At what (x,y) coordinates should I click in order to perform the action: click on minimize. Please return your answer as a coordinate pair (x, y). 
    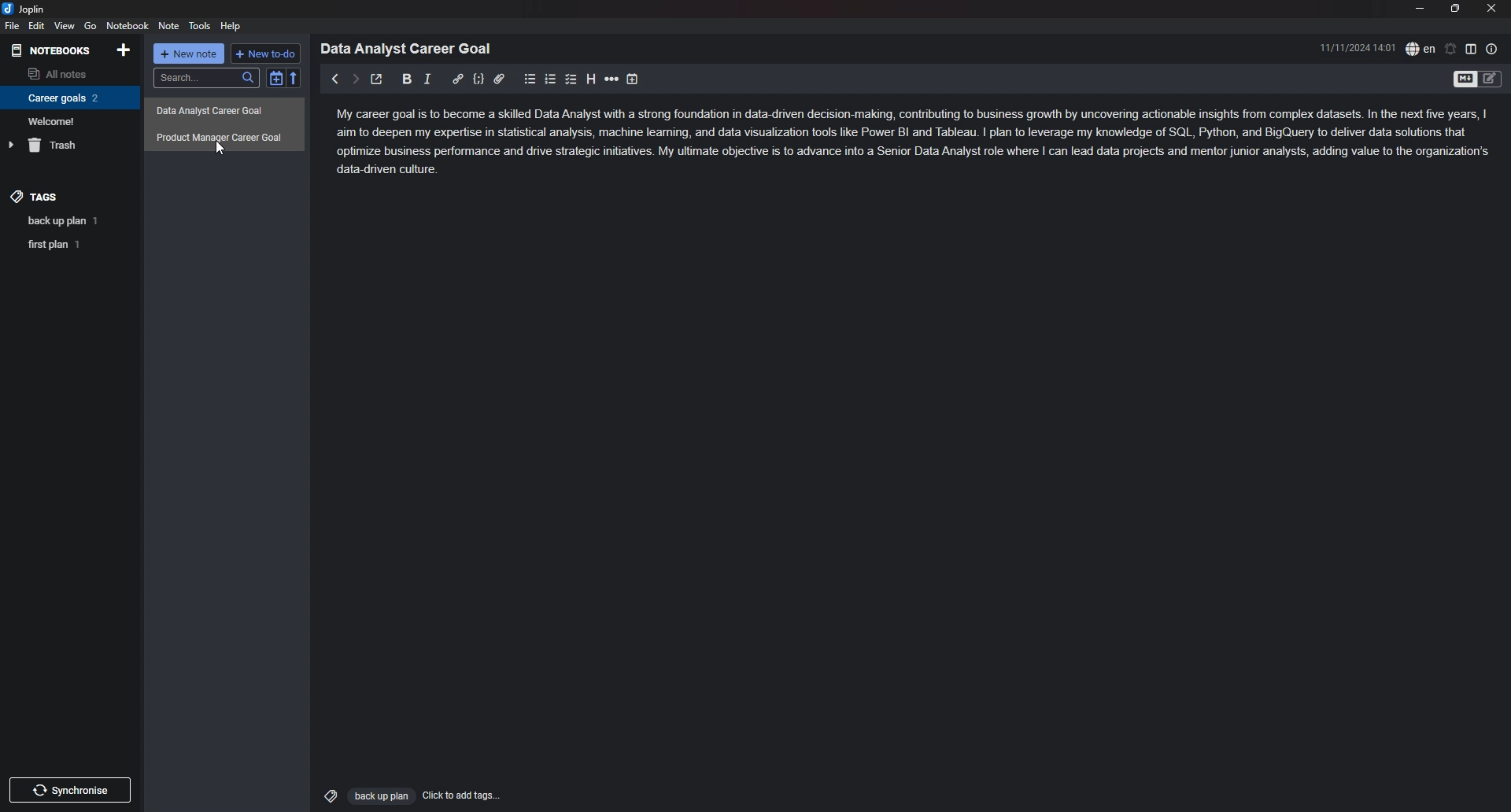
    Looking at the image, I should click on (1419, 8).